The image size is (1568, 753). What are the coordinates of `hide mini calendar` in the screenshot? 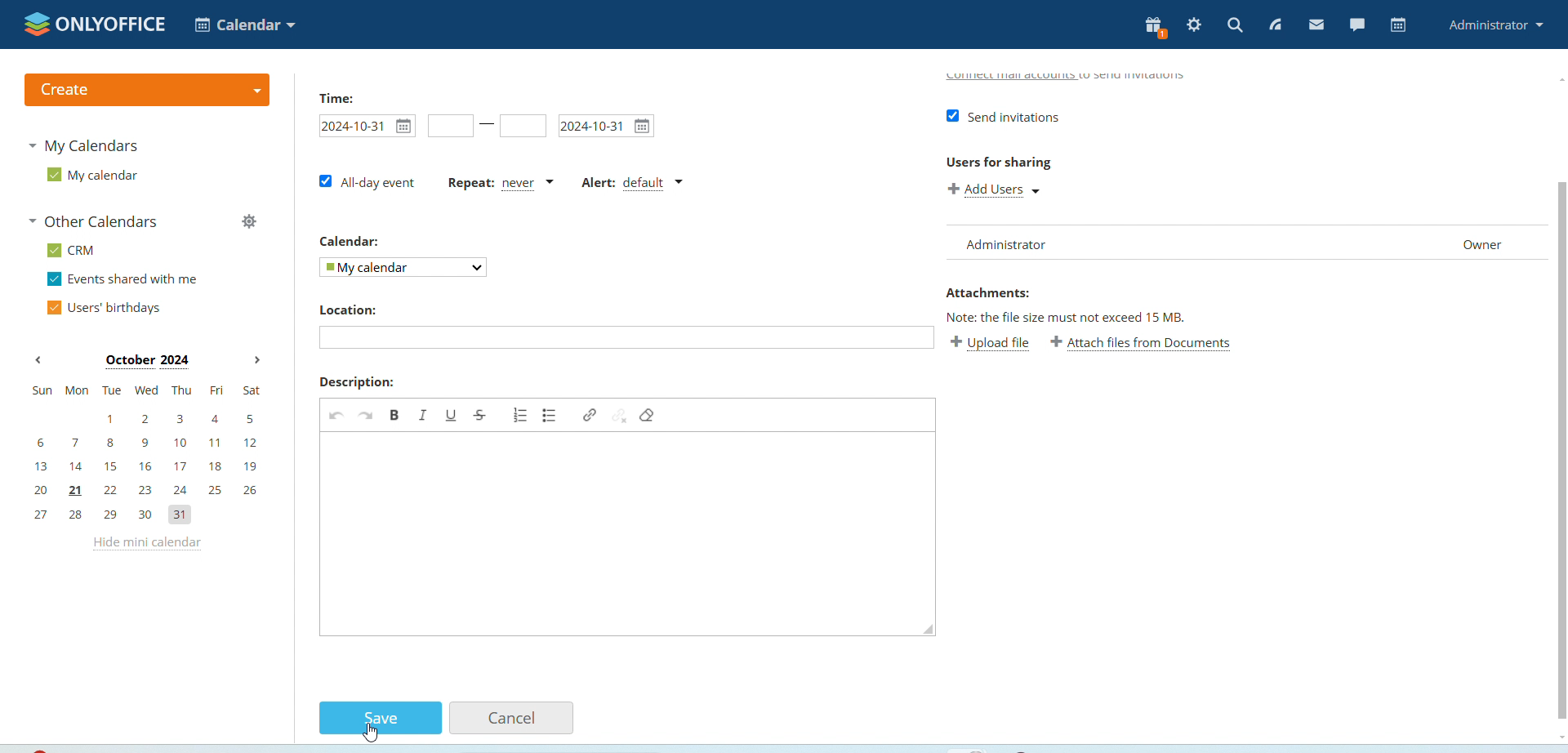 It's located at (146, 545).